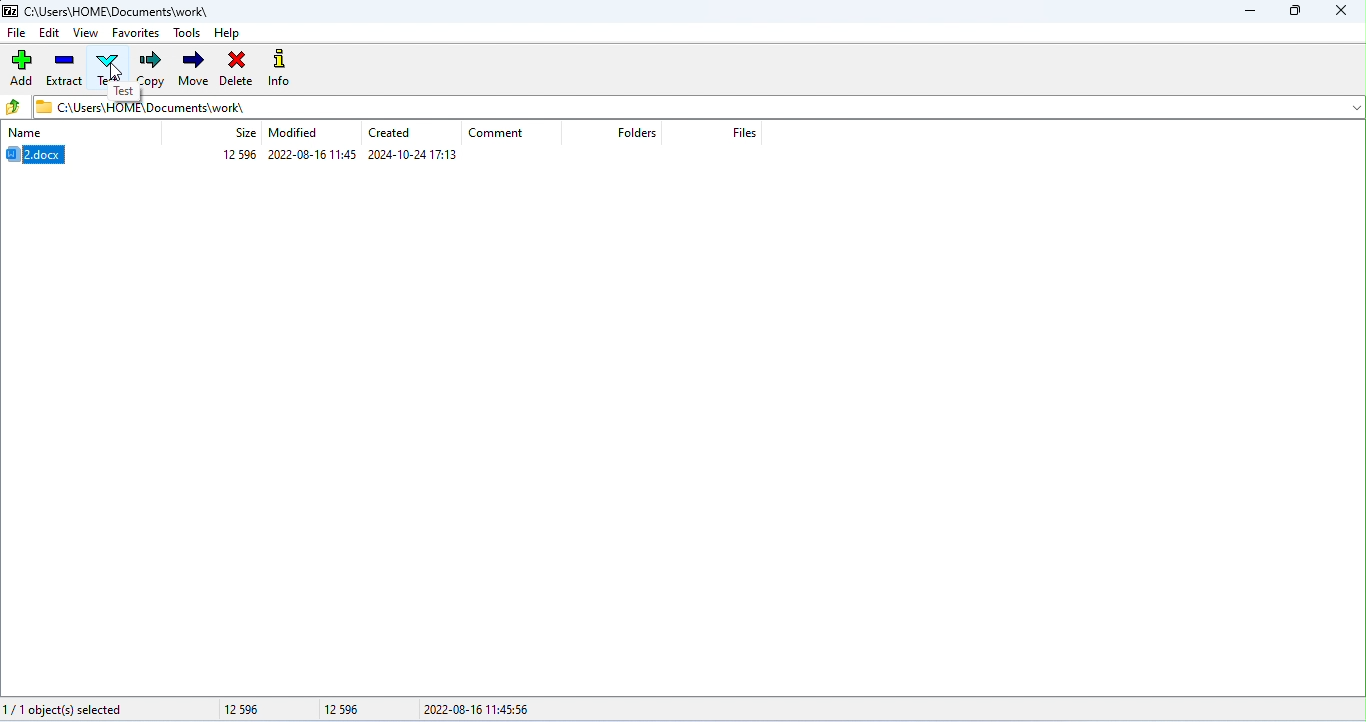 This screenshot has height=722, width=1366. What do you see at coordinates (151, 70) in the screenshot?
I see `copy` at bounding box center [151, 70].